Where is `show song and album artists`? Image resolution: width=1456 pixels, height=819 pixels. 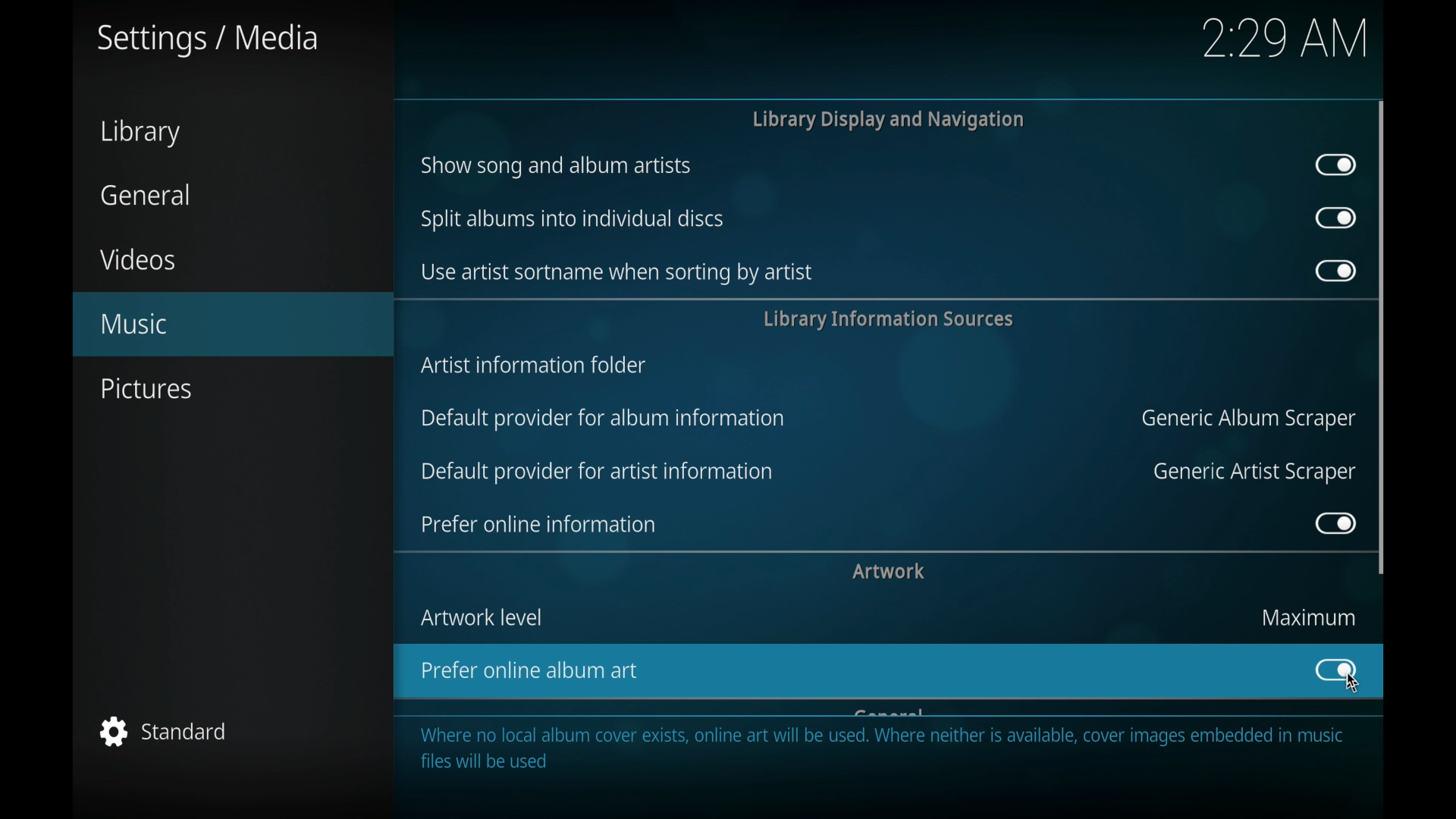
show song and album artists is located at coordinates (556, 168).